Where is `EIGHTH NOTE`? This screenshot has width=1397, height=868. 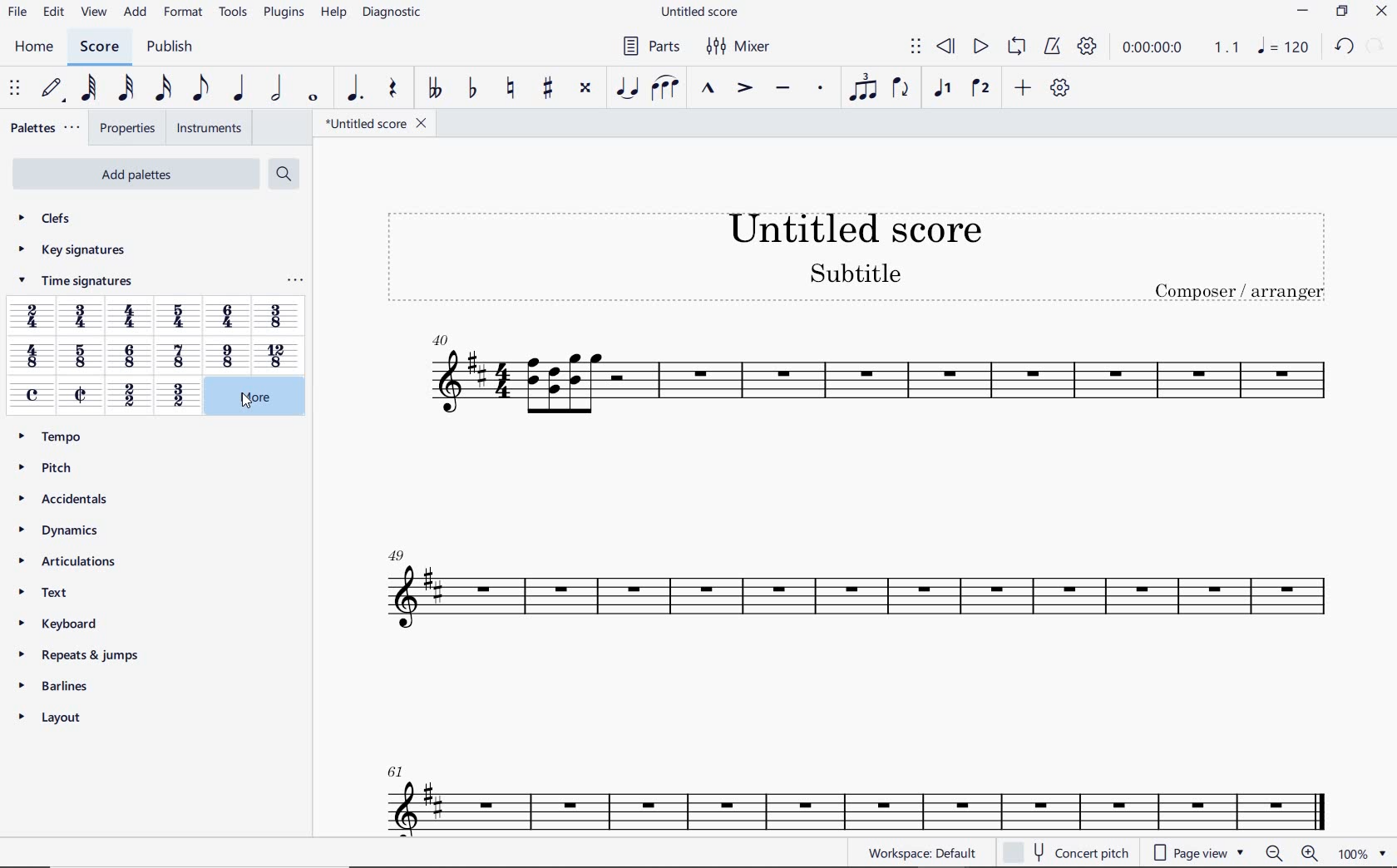 EIGHTH NOTE is located at coordinates (200, 89).